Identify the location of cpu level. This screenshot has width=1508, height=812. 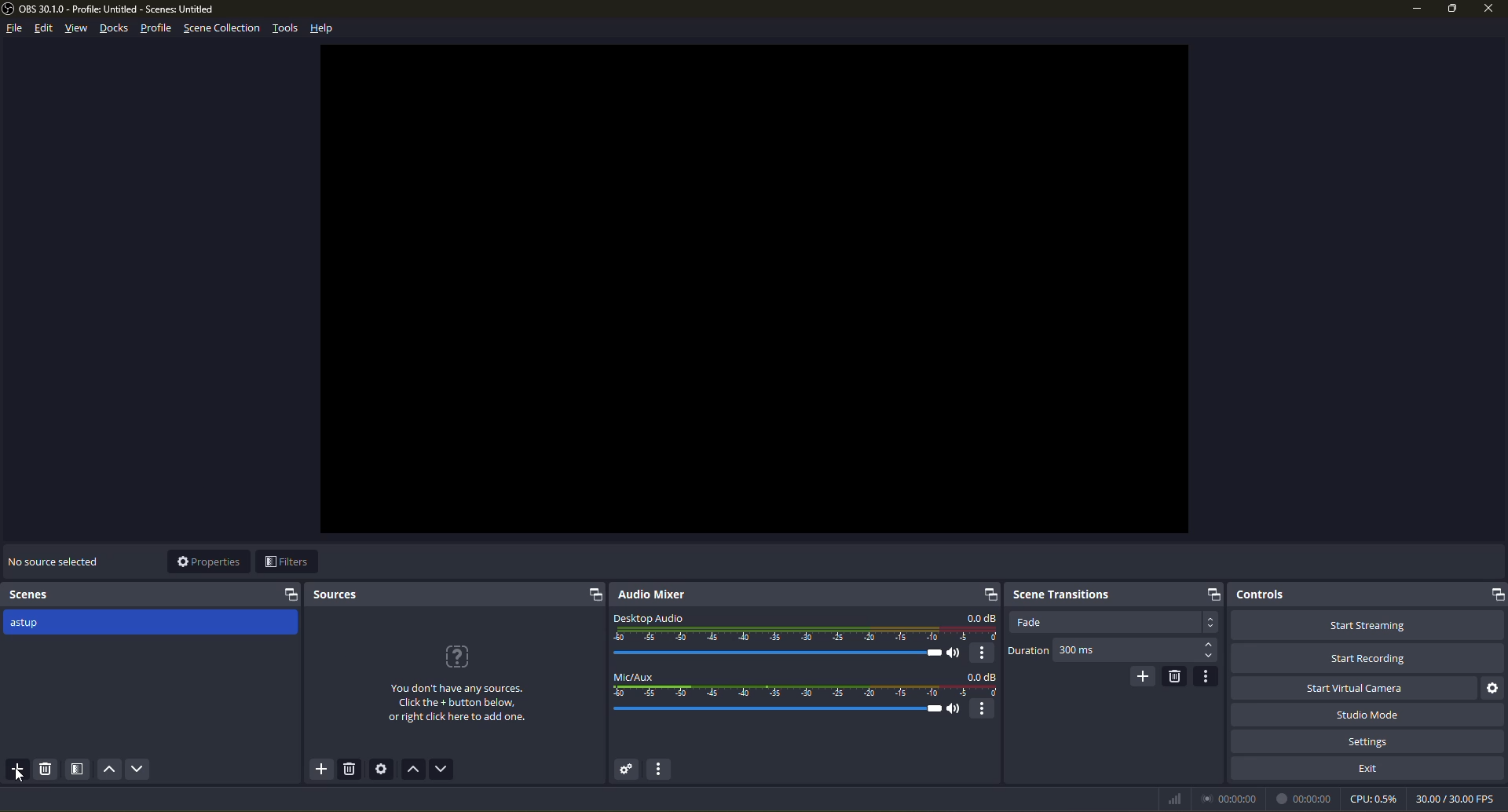
(1374, 798).